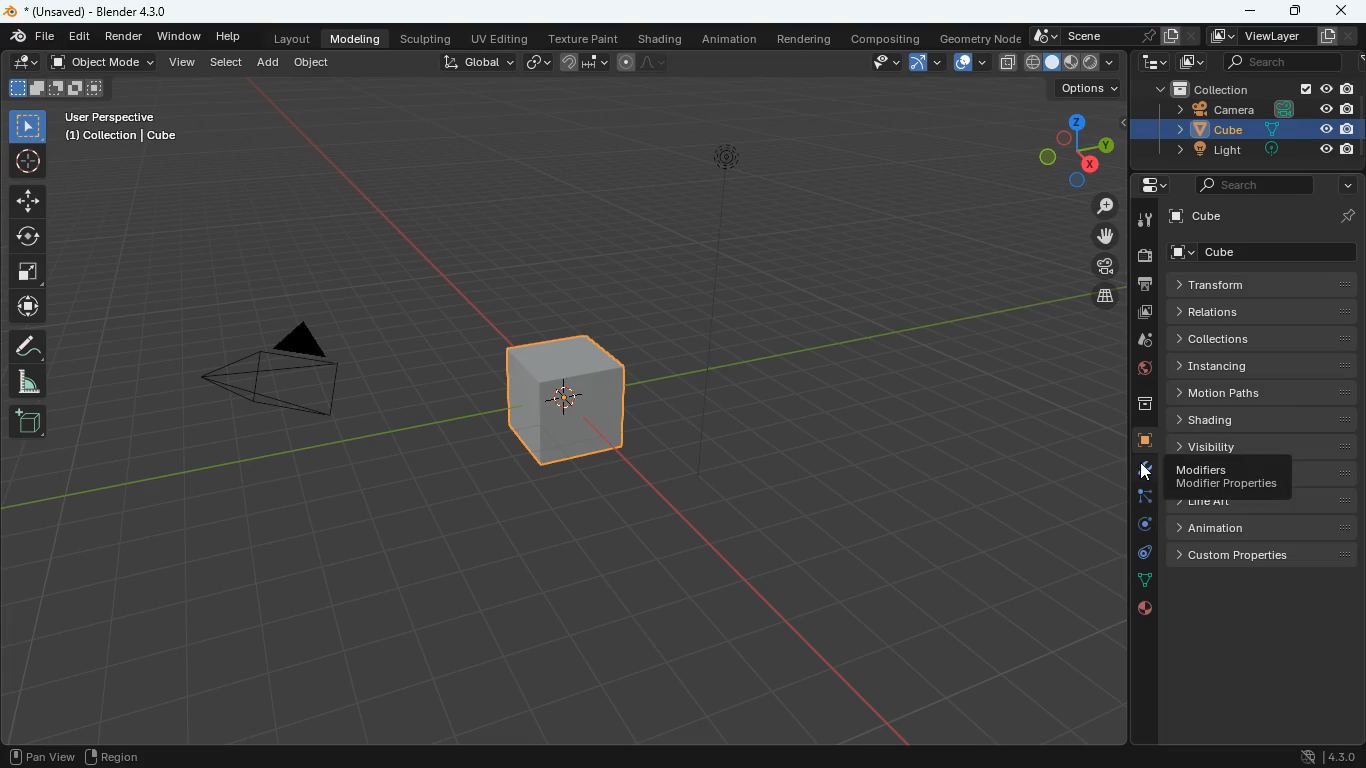  What do you see at coordinates (1297, 12) in the screenshot?
I see `maximize` at bounding box center [1297, 12].